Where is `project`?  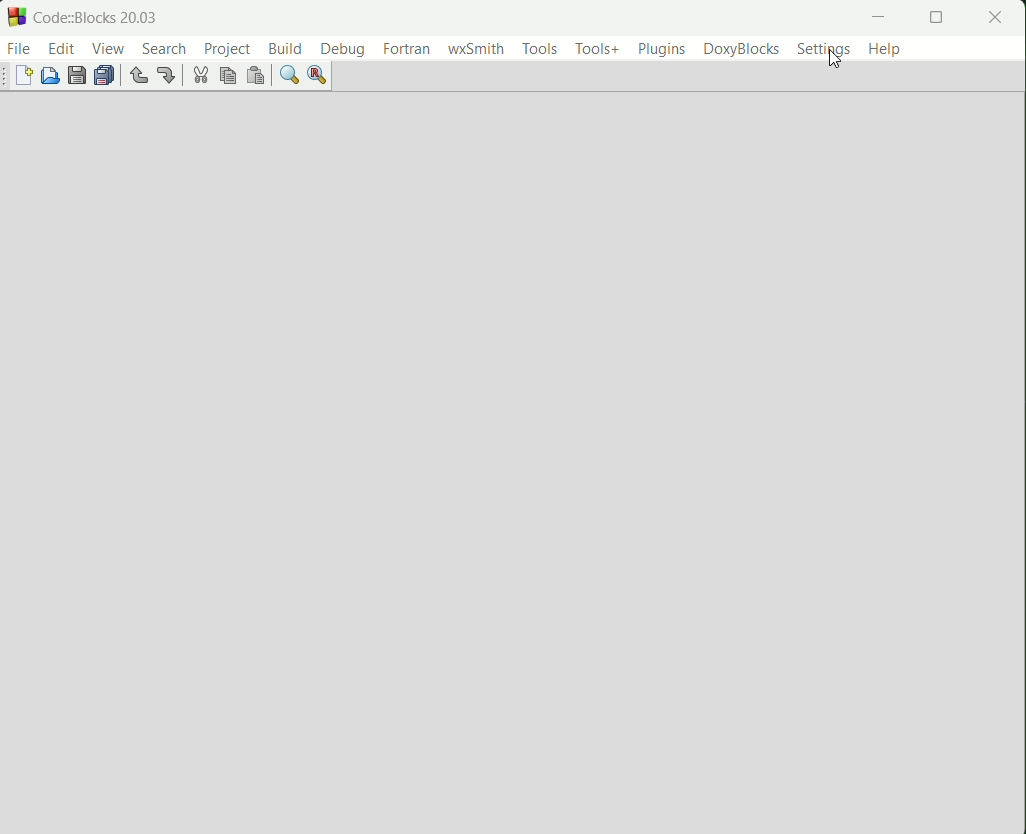 project is located at coordinates (225, 49).